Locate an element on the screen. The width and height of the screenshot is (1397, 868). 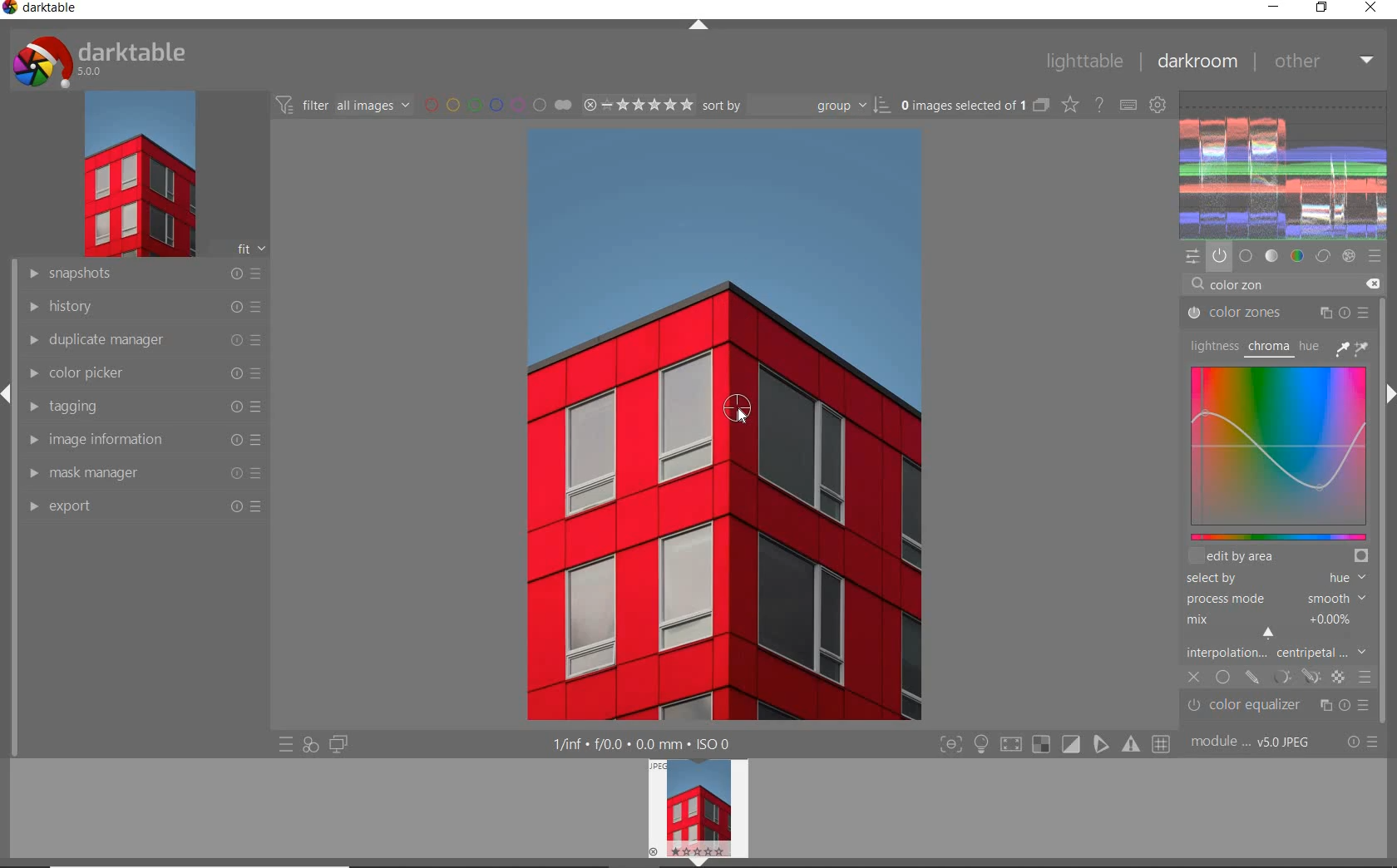
LIGHTNESS is located at coordinates (1212, 345).